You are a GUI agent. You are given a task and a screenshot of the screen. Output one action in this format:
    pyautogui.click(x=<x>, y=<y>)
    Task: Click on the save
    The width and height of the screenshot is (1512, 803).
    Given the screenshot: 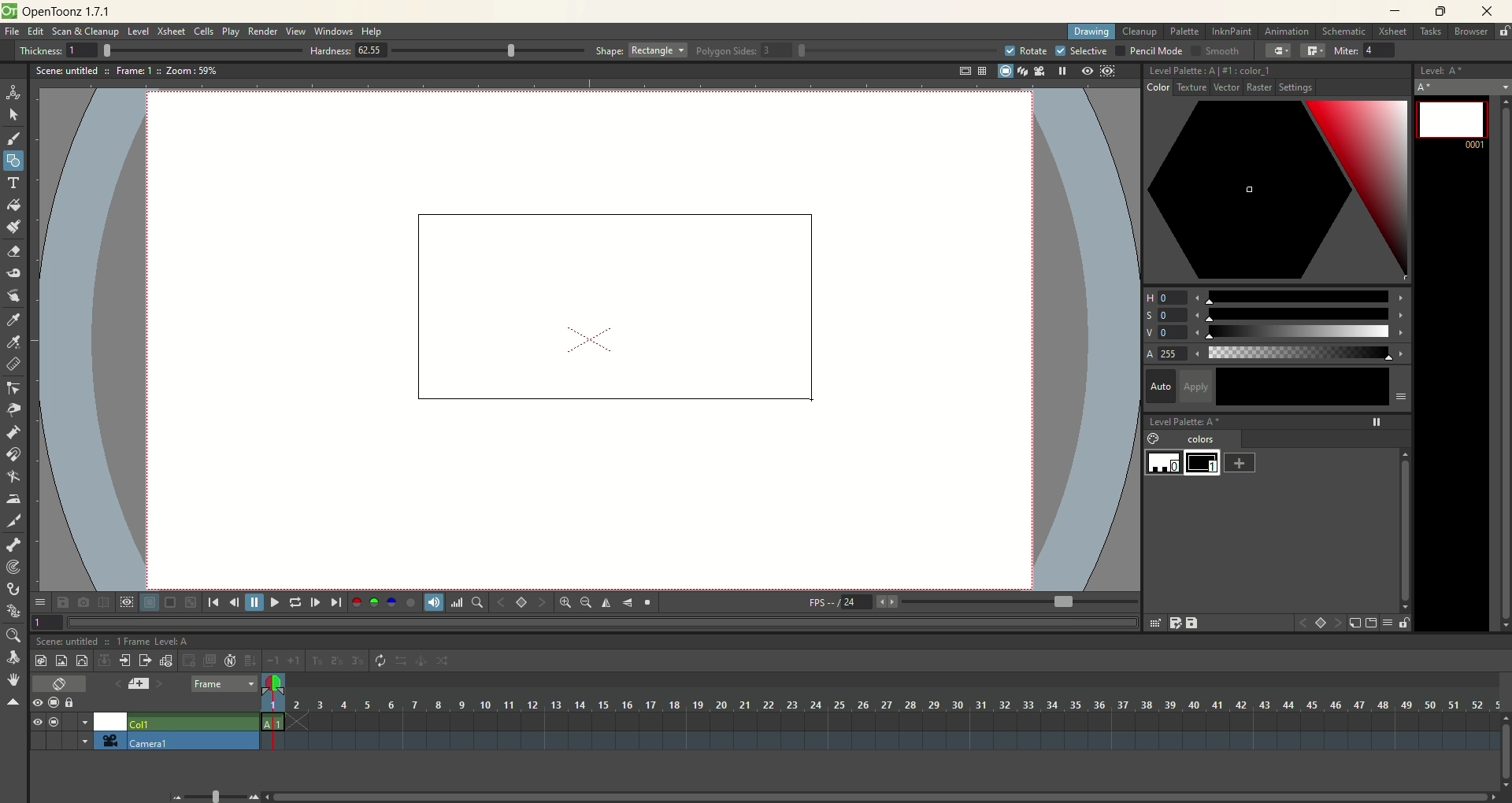 What is the action you would take?
    pyautogui.click(x=1194, y=623)
    